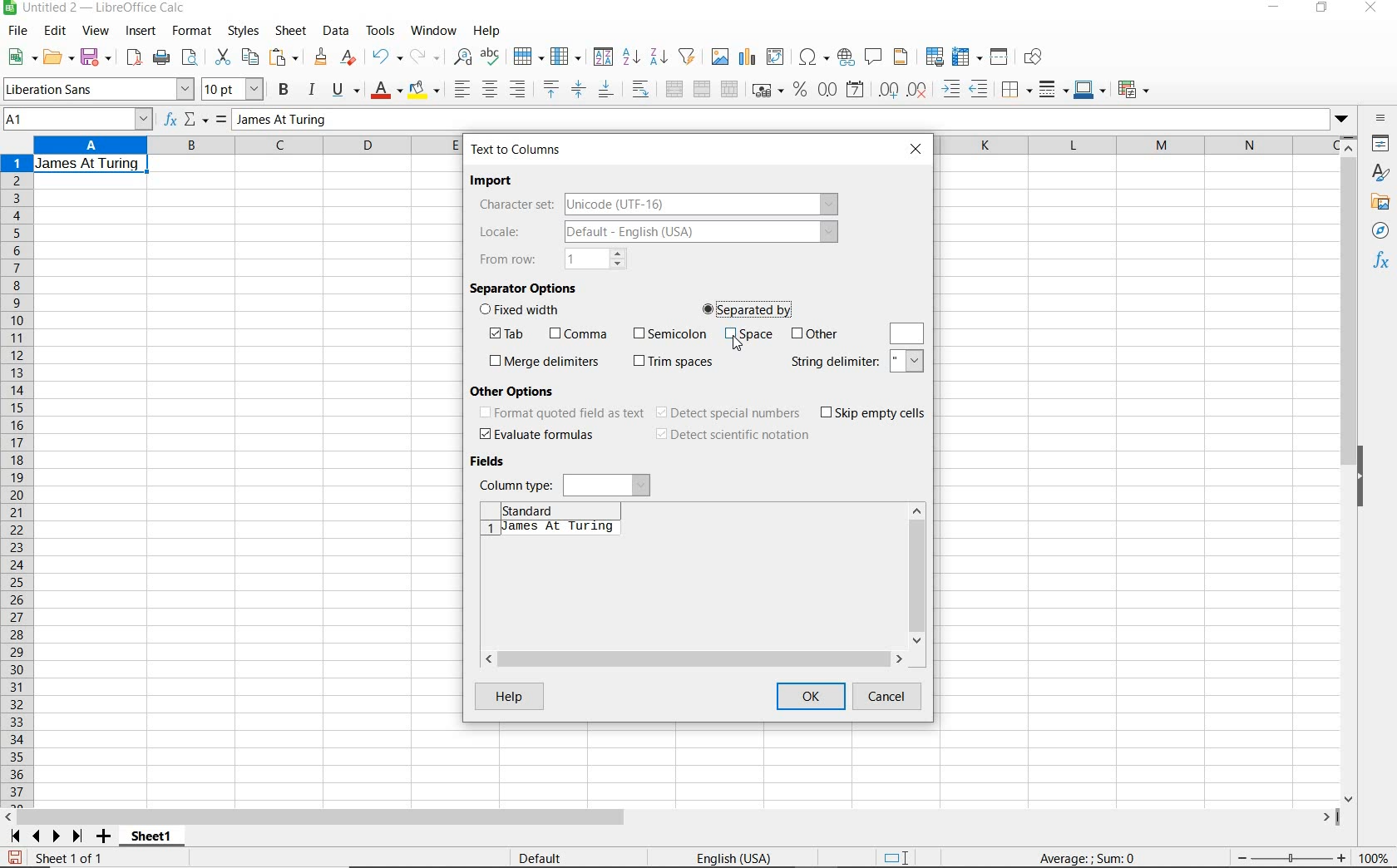 The width and height of the screenshot is (1397, 868). I want to click on fixed width, so click(525, 311).